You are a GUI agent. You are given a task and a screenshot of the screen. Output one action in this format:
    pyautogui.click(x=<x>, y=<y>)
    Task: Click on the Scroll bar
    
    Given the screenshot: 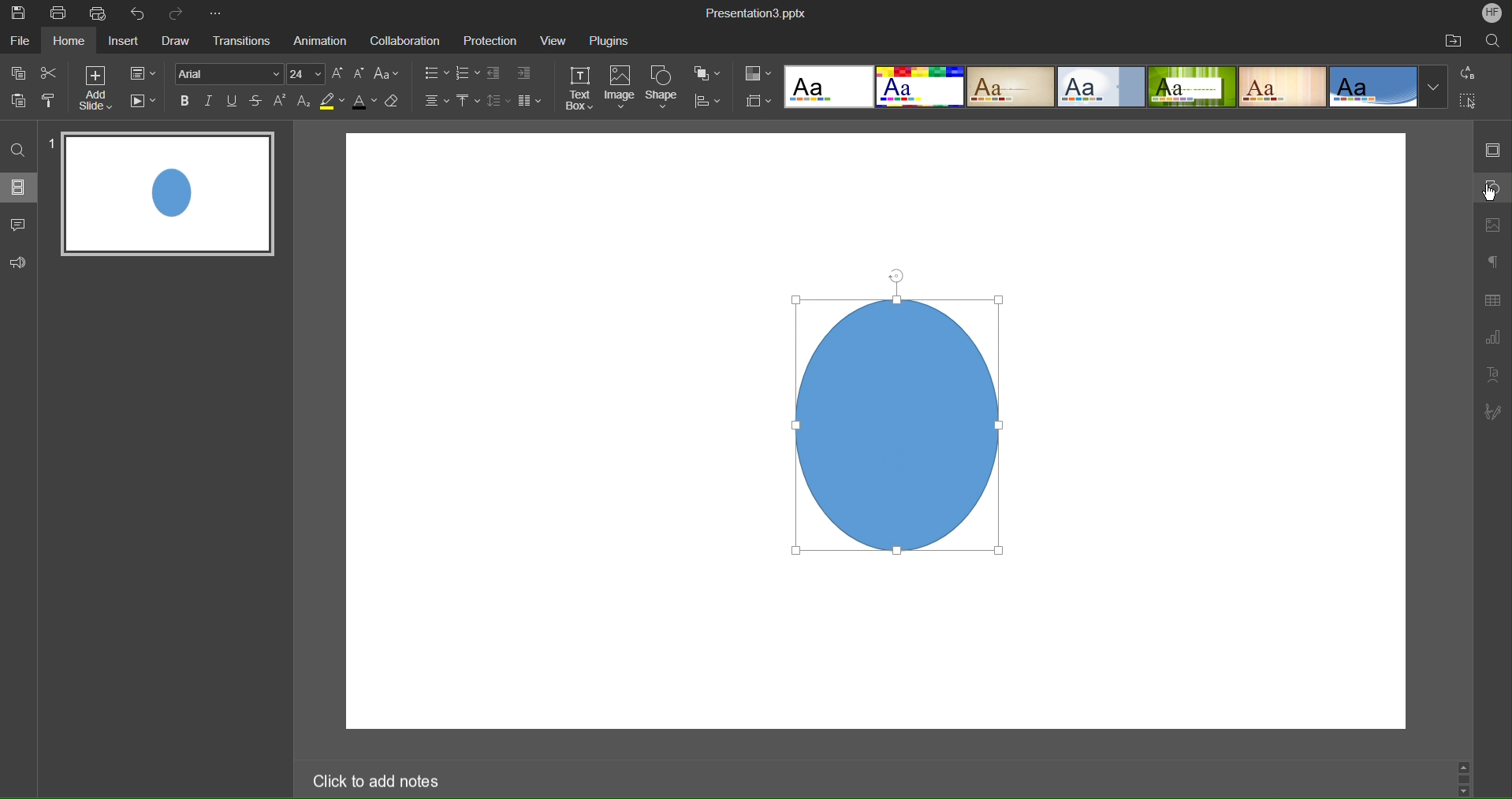 What is the action you would take?
    pyautogui.click(x=1465, y=775)
    